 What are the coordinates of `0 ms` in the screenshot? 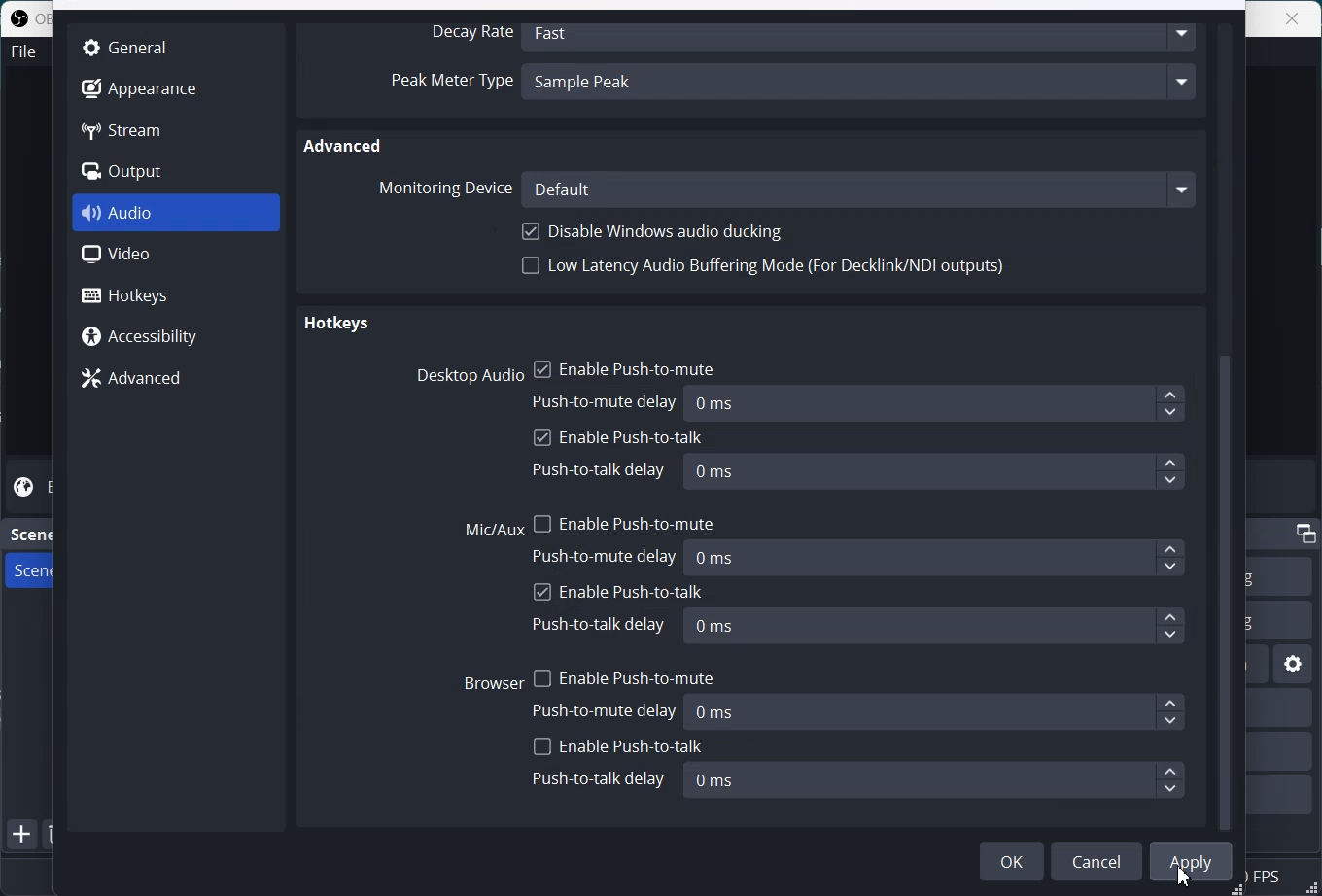 It's located at (933, 780).